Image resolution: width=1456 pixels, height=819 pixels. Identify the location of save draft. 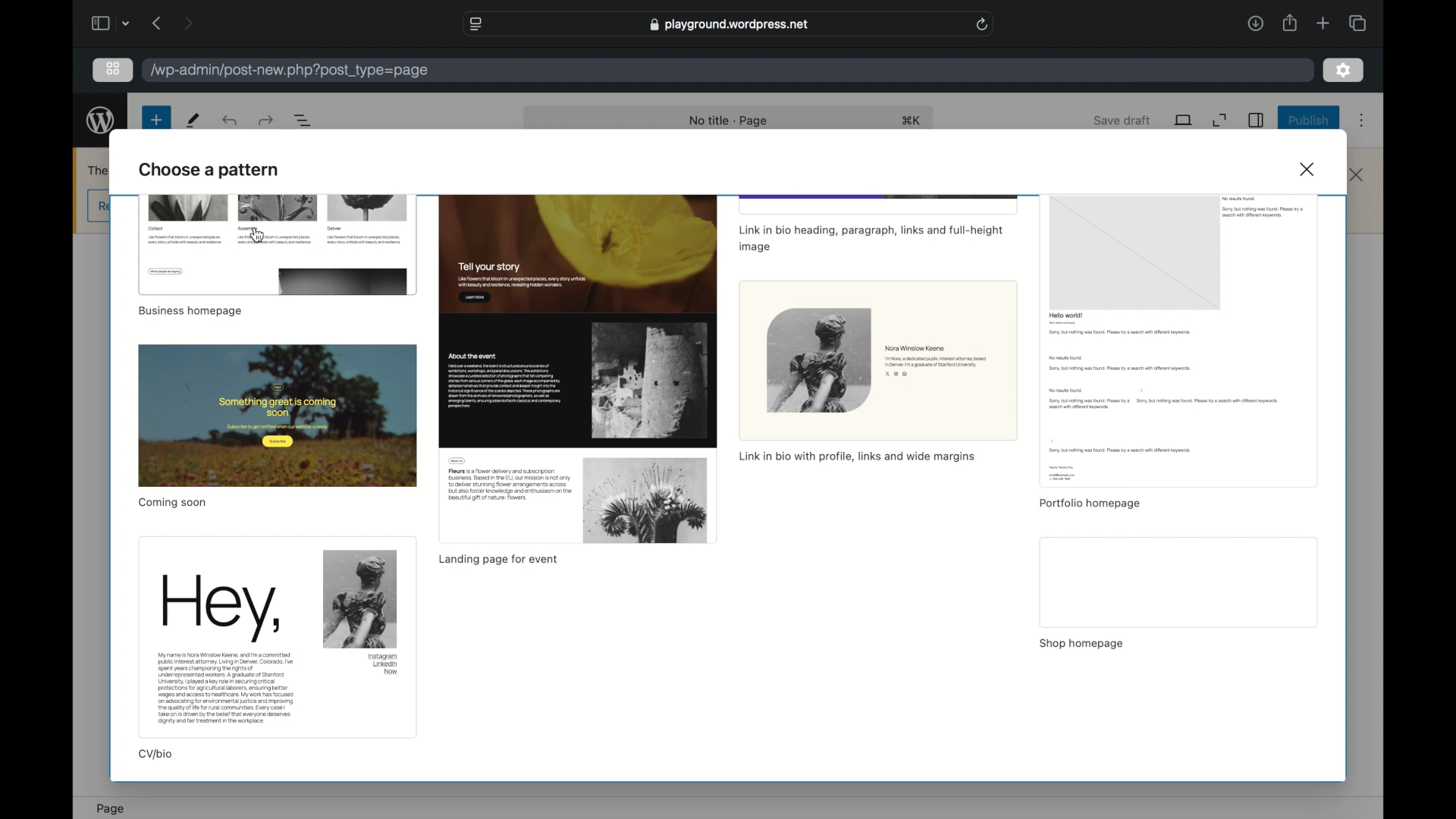
(1122, 120).